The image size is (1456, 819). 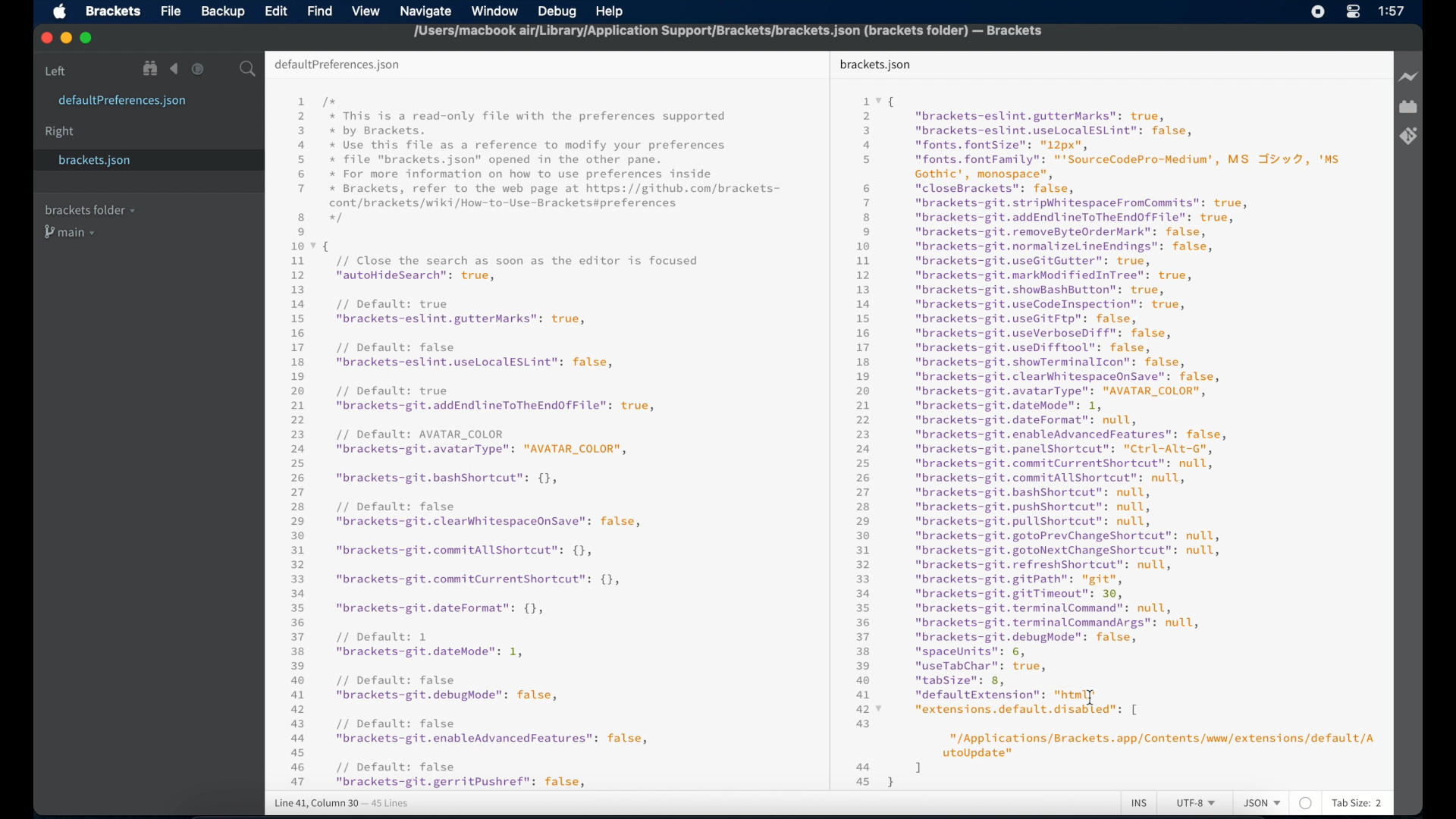 I want to click on 49 “tabSize": 8,
a MCABRSIIEY TET
427 “extensions.default.disabled": [
43
"/Applications/Brackets. app/Contents/www/extensions/default/A
utoUpdate"
aa 1
| 45}, so click(x=1115, y=733).